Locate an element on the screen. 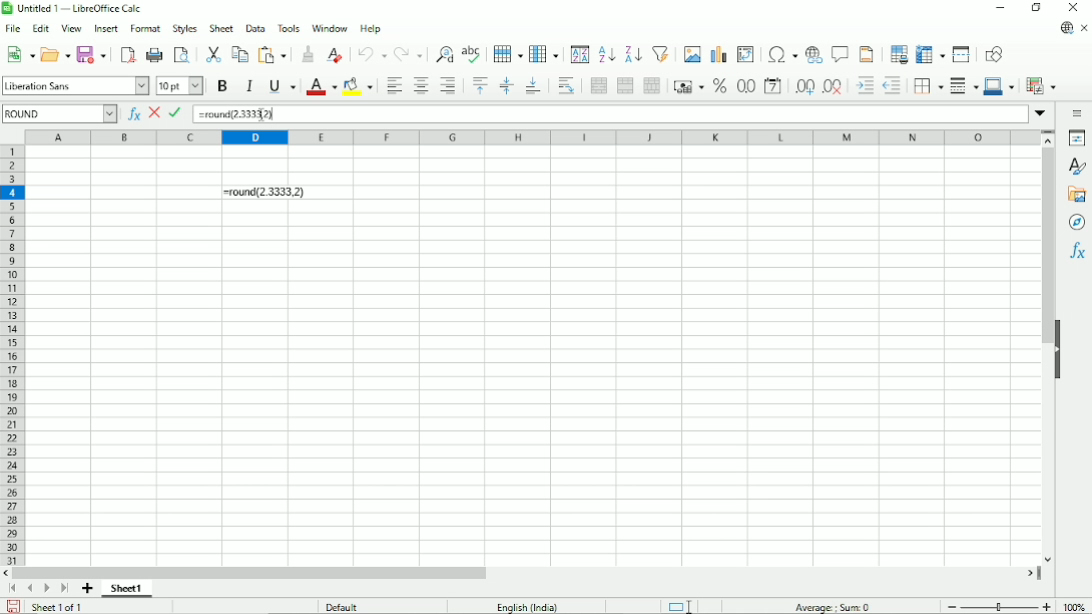  Format as percent is located at coordinates (721, 86).